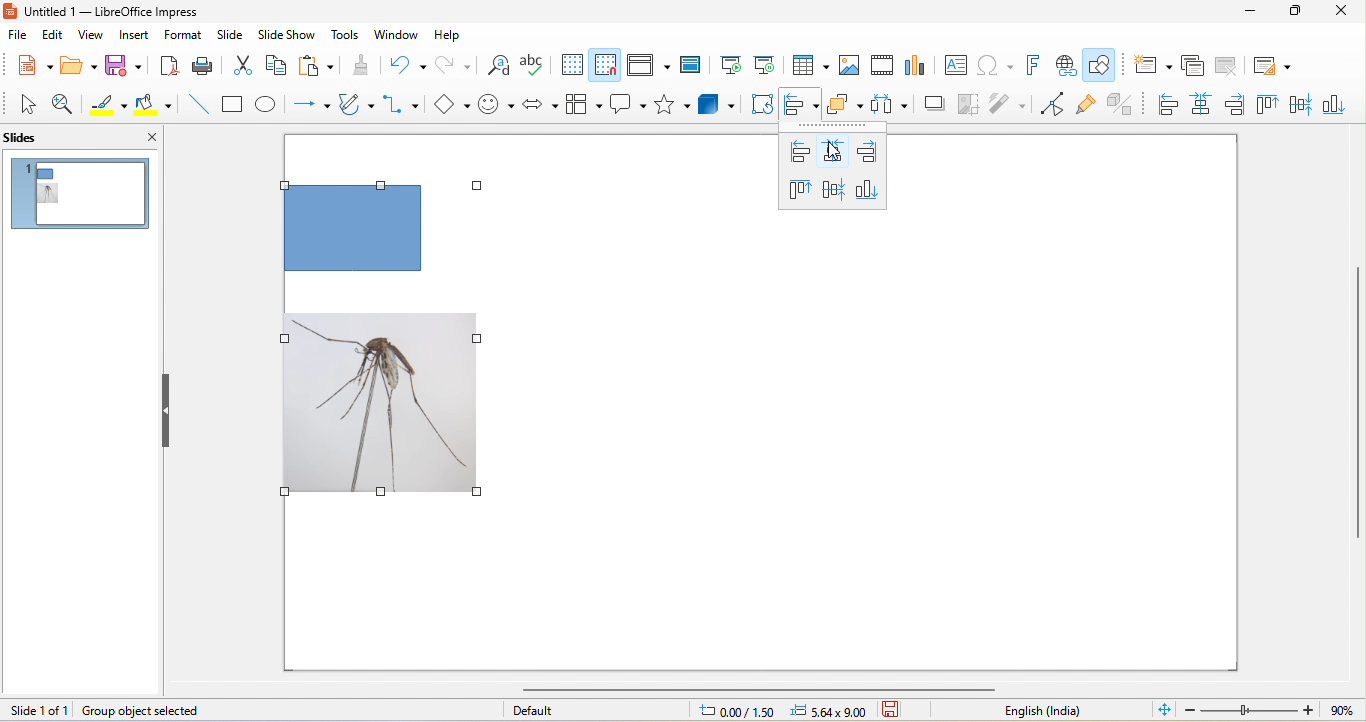  What do you see at coordinates (537, 66) in the screenshot?
I see `spelling` at bounding box center [537, 66].